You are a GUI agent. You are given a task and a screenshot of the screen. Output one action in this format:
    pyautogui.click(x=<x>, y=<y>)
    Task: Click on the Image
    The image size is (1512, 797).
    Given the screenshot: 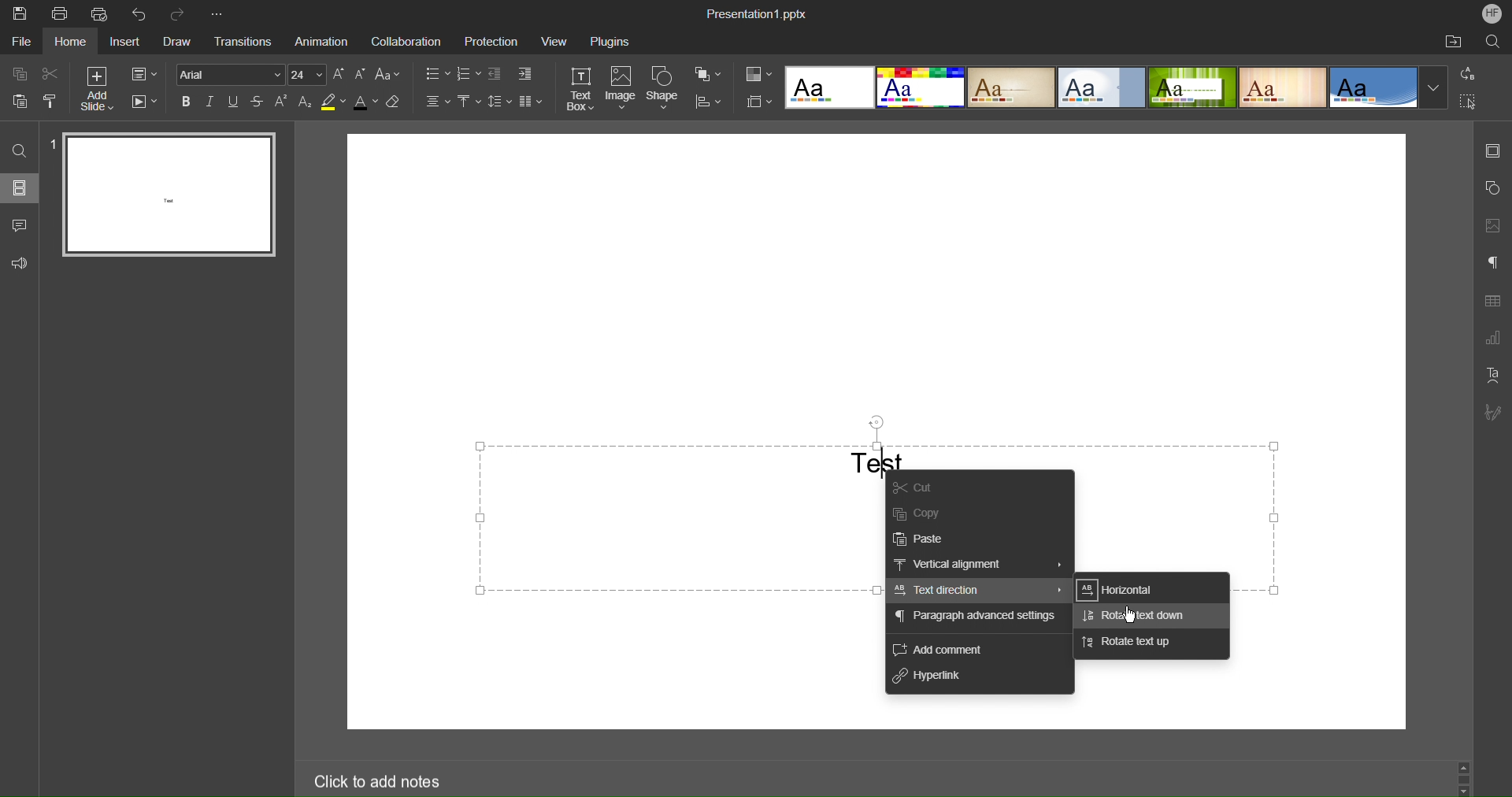 What is the action you would take?
    pyautogui.click(x=621, y=88)
    